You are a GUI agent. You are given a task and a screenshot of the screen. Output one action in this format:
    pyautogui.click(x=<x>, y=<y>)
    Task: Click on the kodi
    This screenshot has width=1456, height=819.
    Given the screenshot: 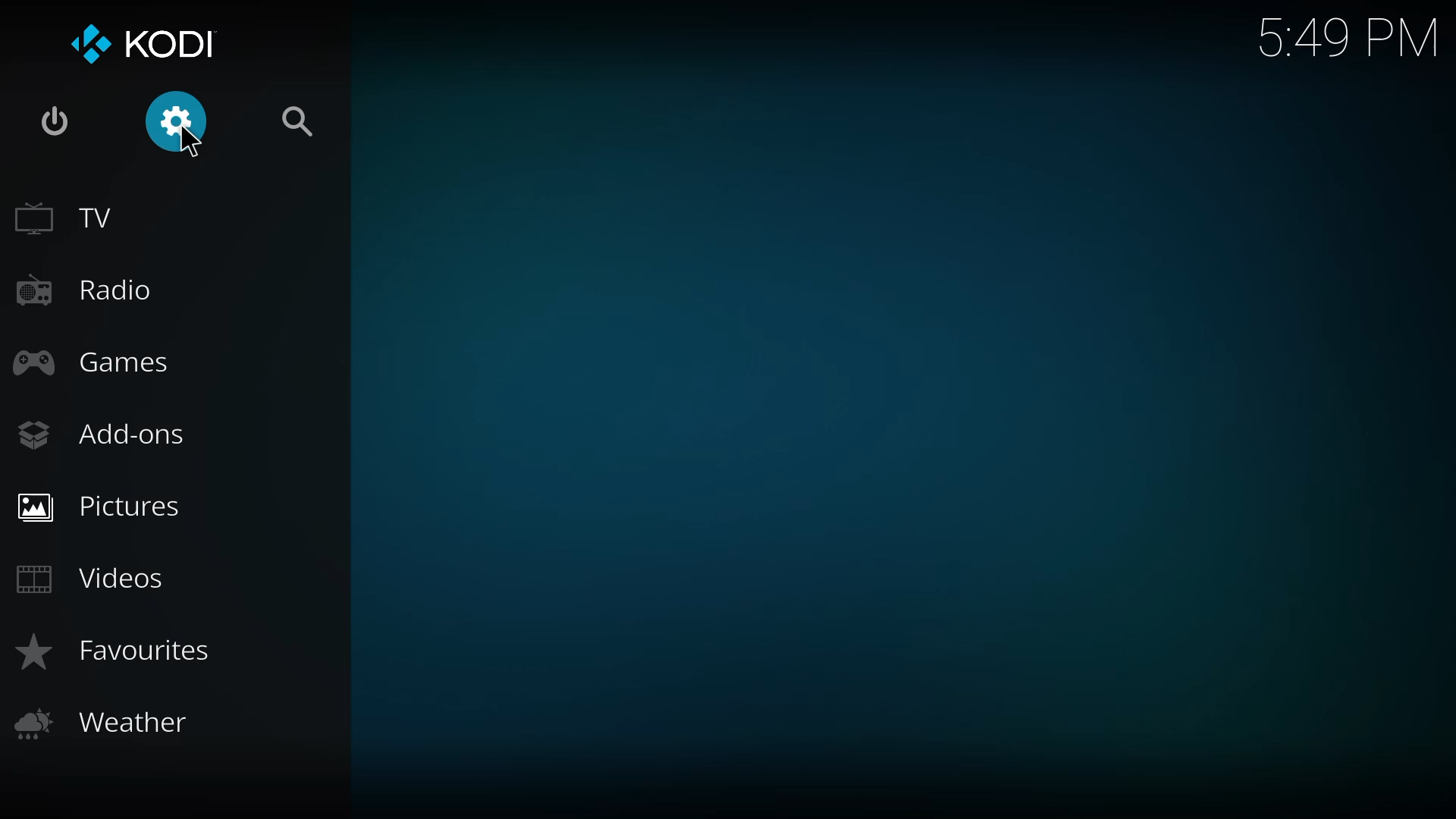 What is the action you would take?
    pyautogui.click(x=143, y=45)
    